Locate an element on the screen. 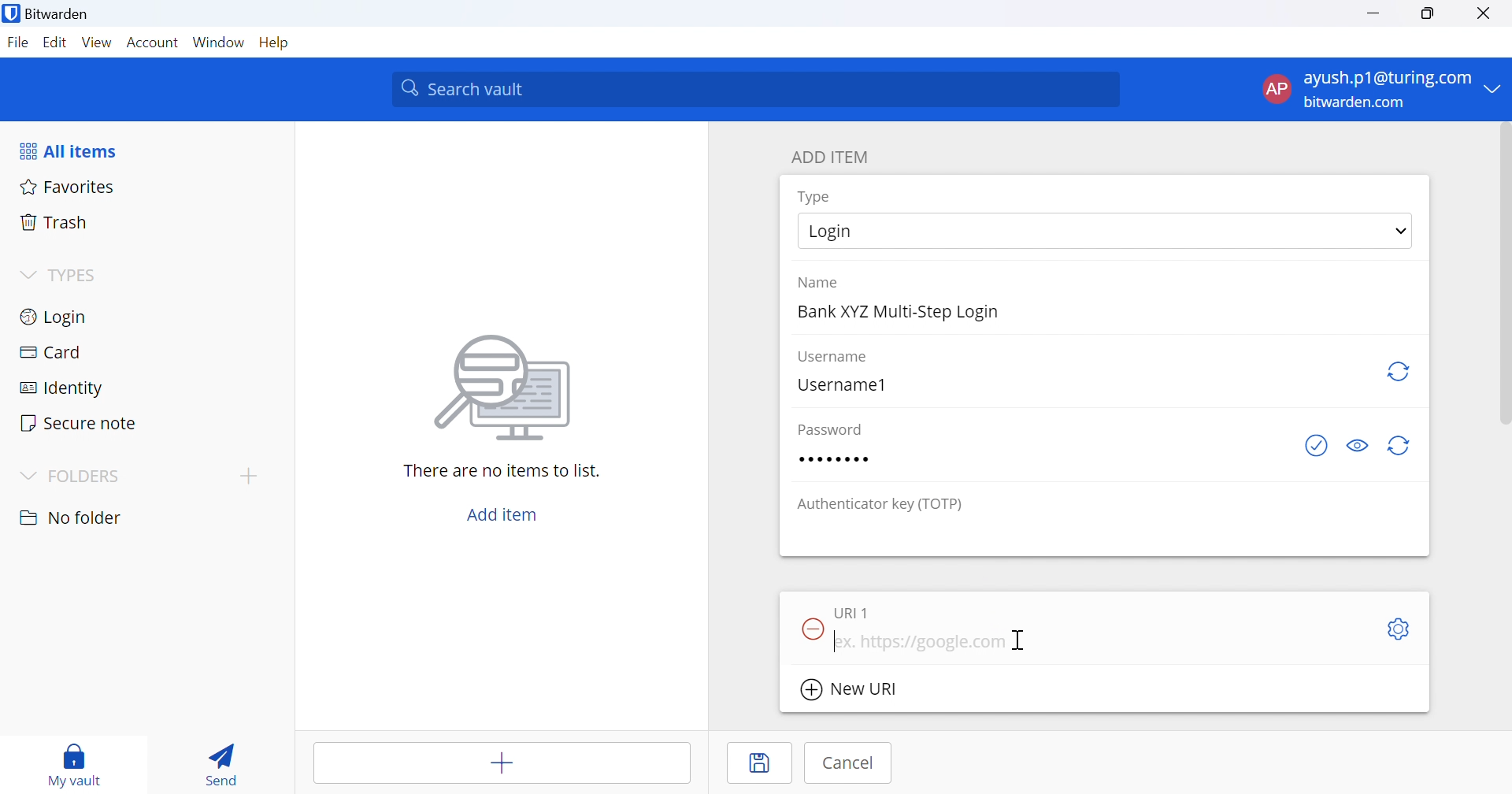 This screenshot has height=794, width=1512. Drop Down is located at coordinates (27, 273).